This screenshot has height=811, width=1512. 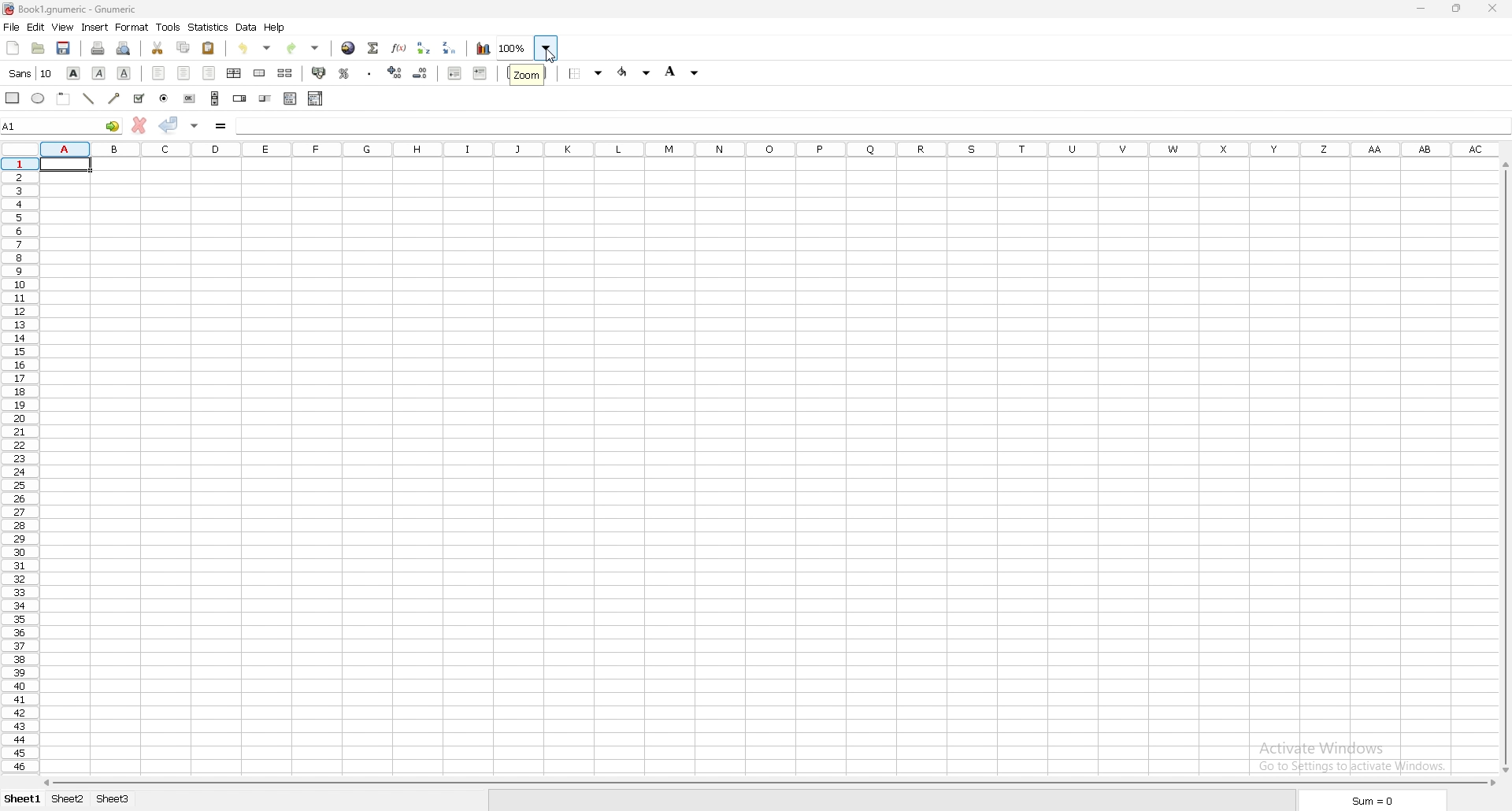 What do you see at coordinates (24, 799) in the screenshot?
I see `sheet 1` at bounding box center [24, 799].